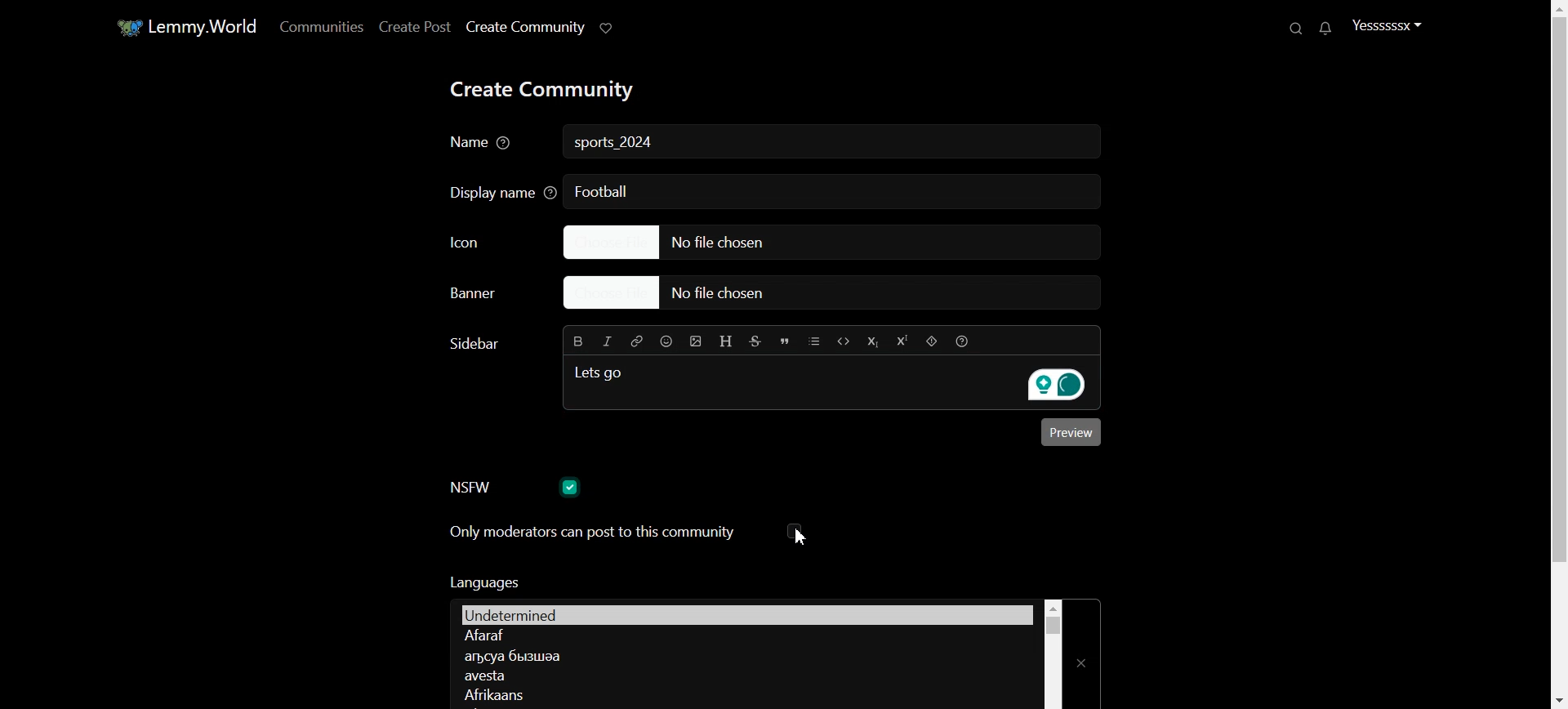 This screenshot has height=709, width=1568. What do you see at coordinates (488, 242) in the screenshot?
I see `Icon ` at bounding box center [488, 242].